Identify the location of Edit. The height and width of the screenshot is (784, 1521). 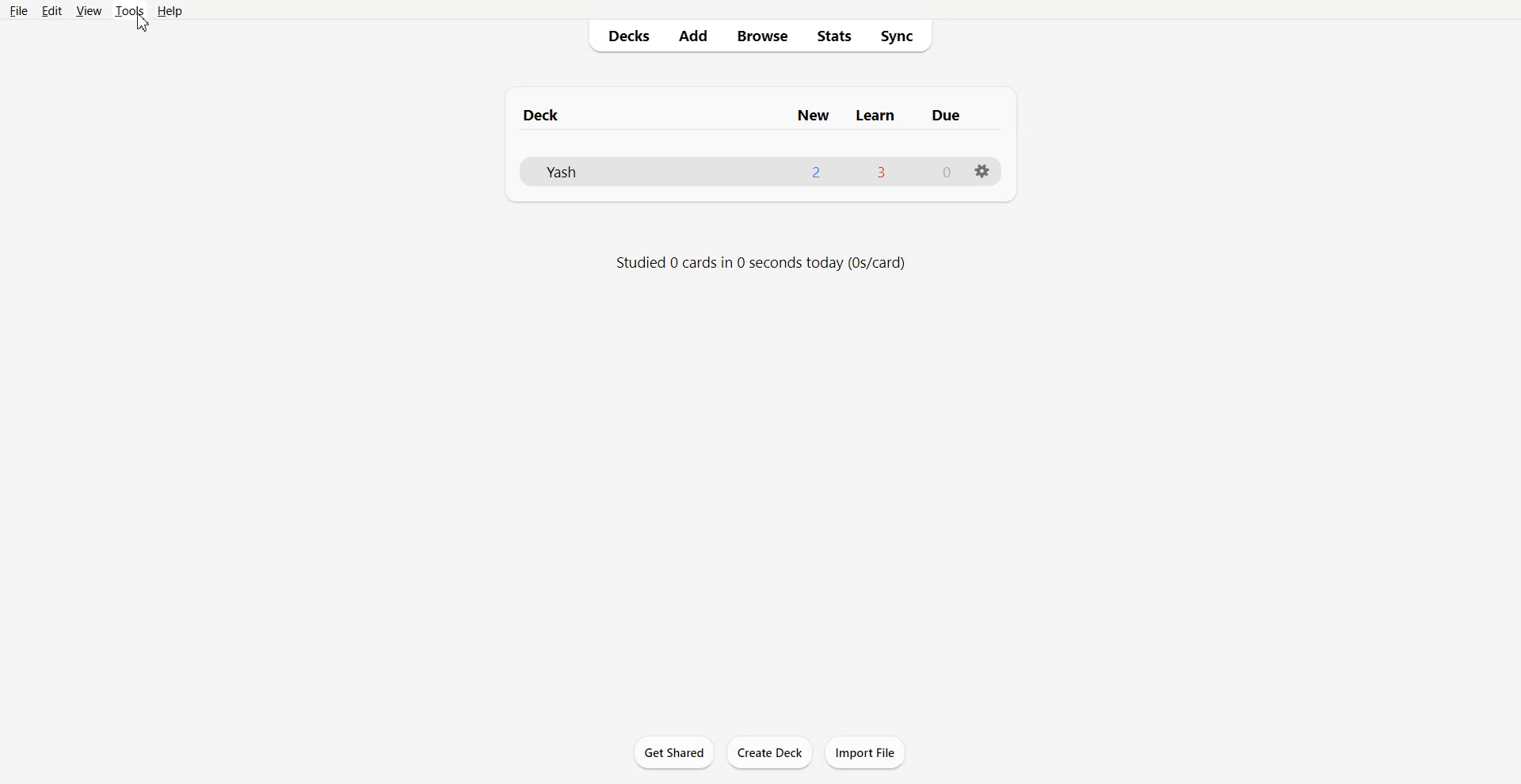
(51, 10).